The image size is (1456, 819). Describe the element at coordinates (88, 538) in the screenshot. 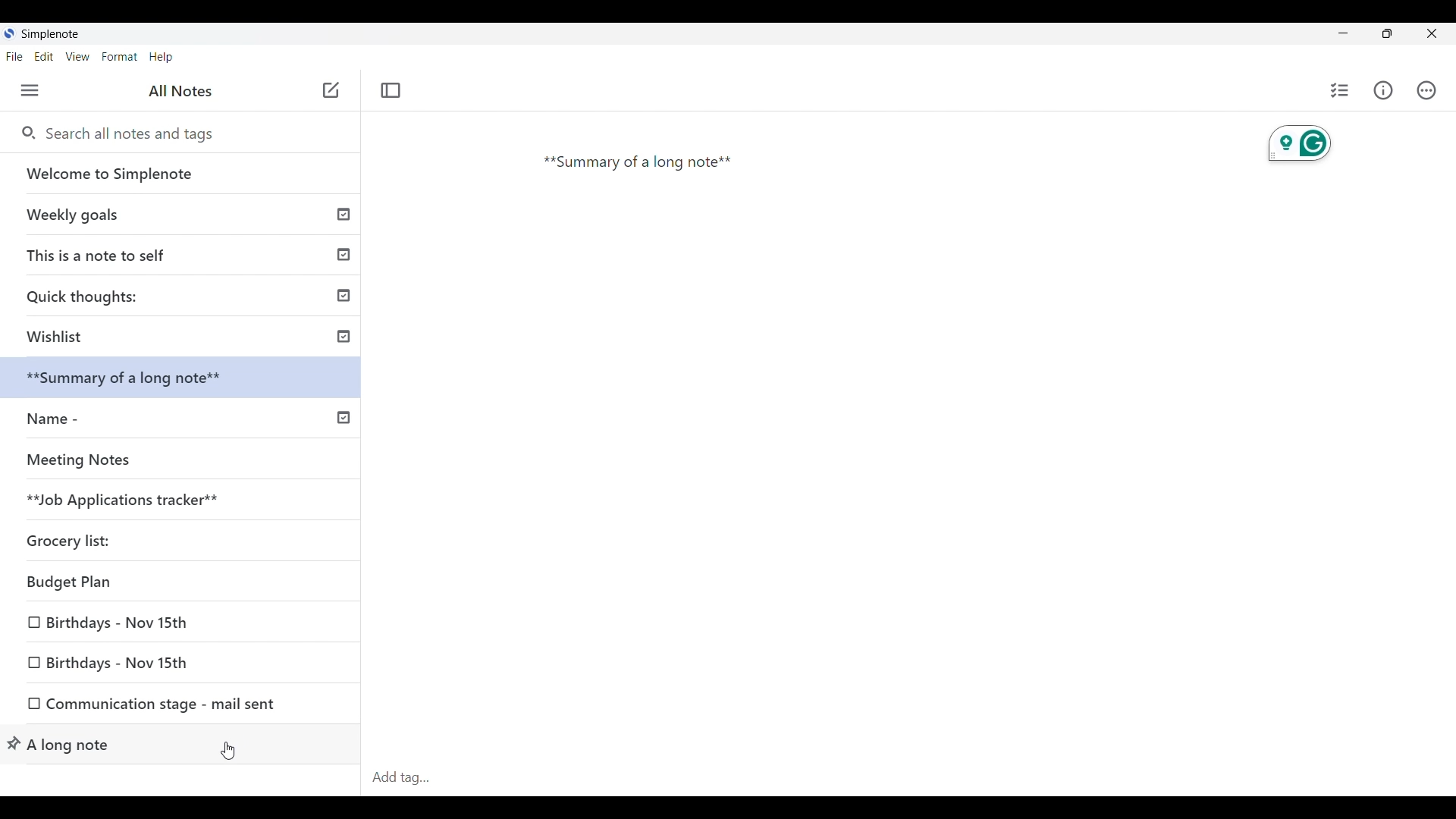

I see `Grocery list:` at that location.